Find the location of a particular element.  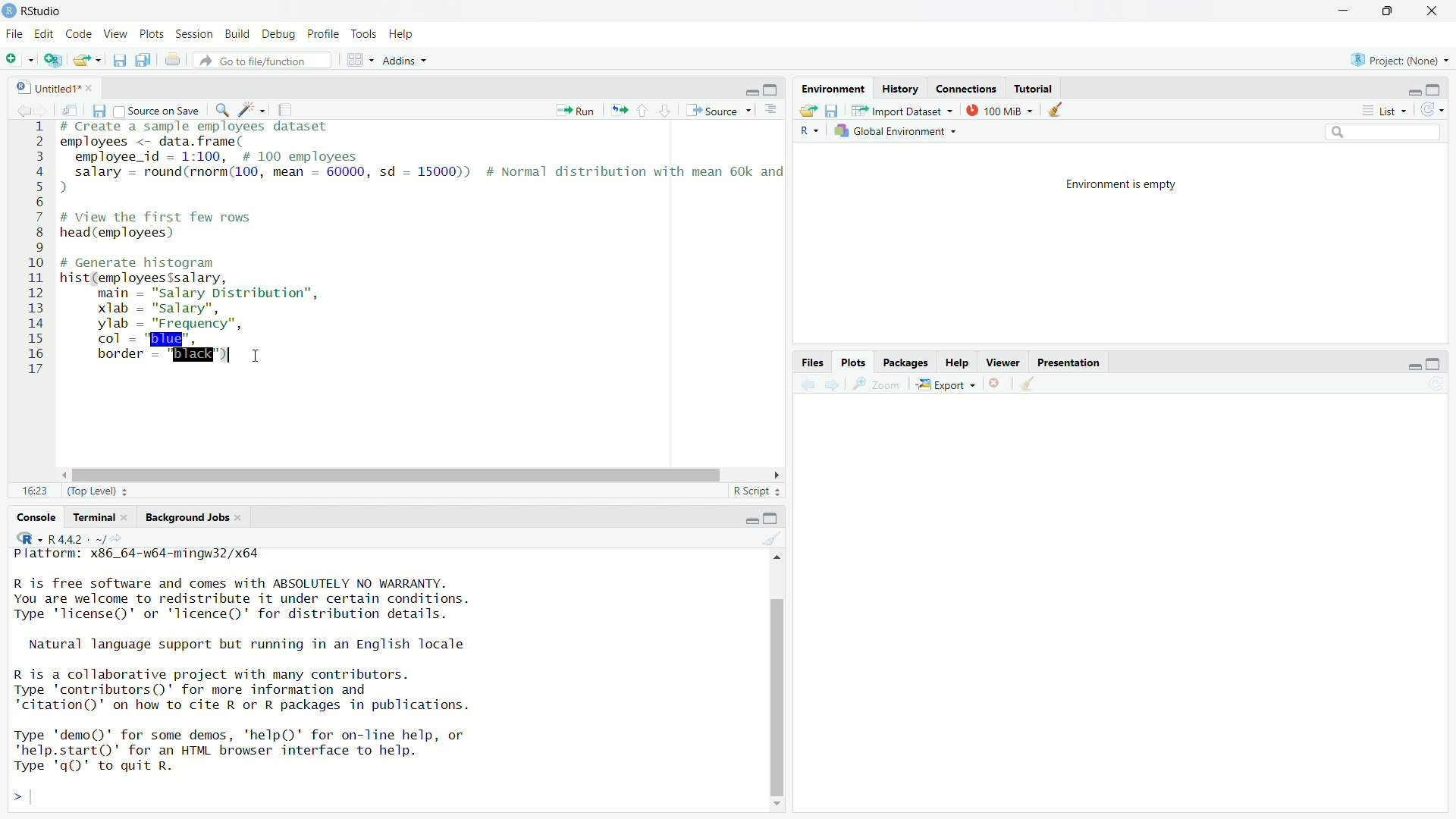

R 4.4.2 - ~/ is located at coordinates (86, 539).